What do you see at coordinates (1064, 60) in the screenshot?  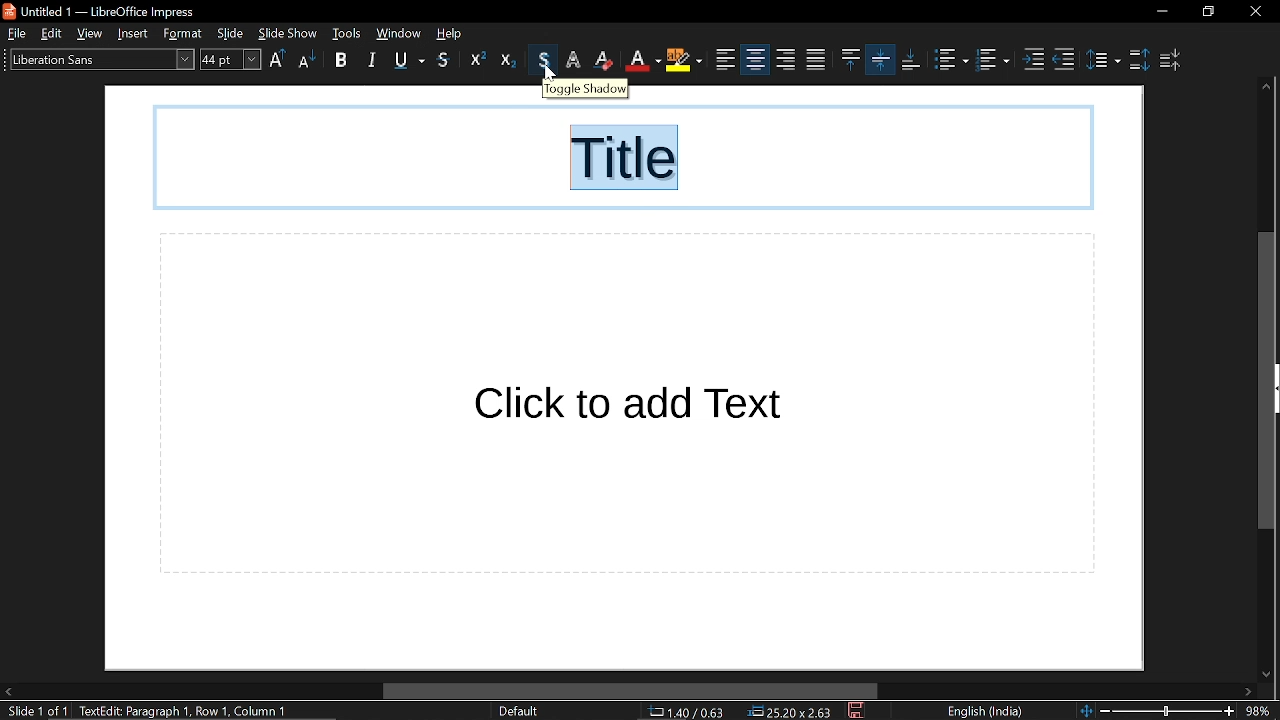 I see `decrease indent` at bounding box center [1064, 60].